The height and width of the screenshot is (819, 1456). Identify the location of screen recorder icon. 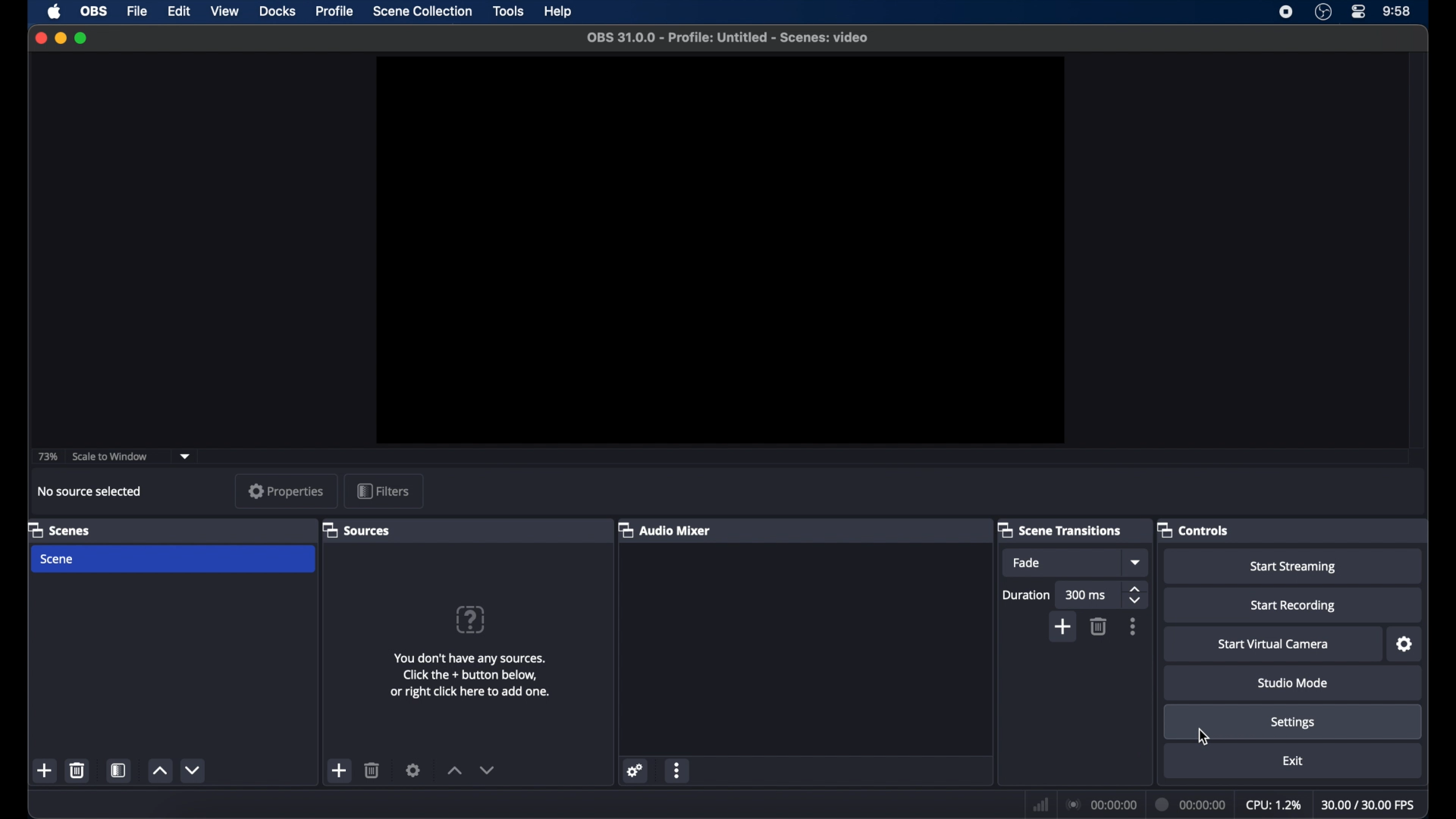
(1286, 12).